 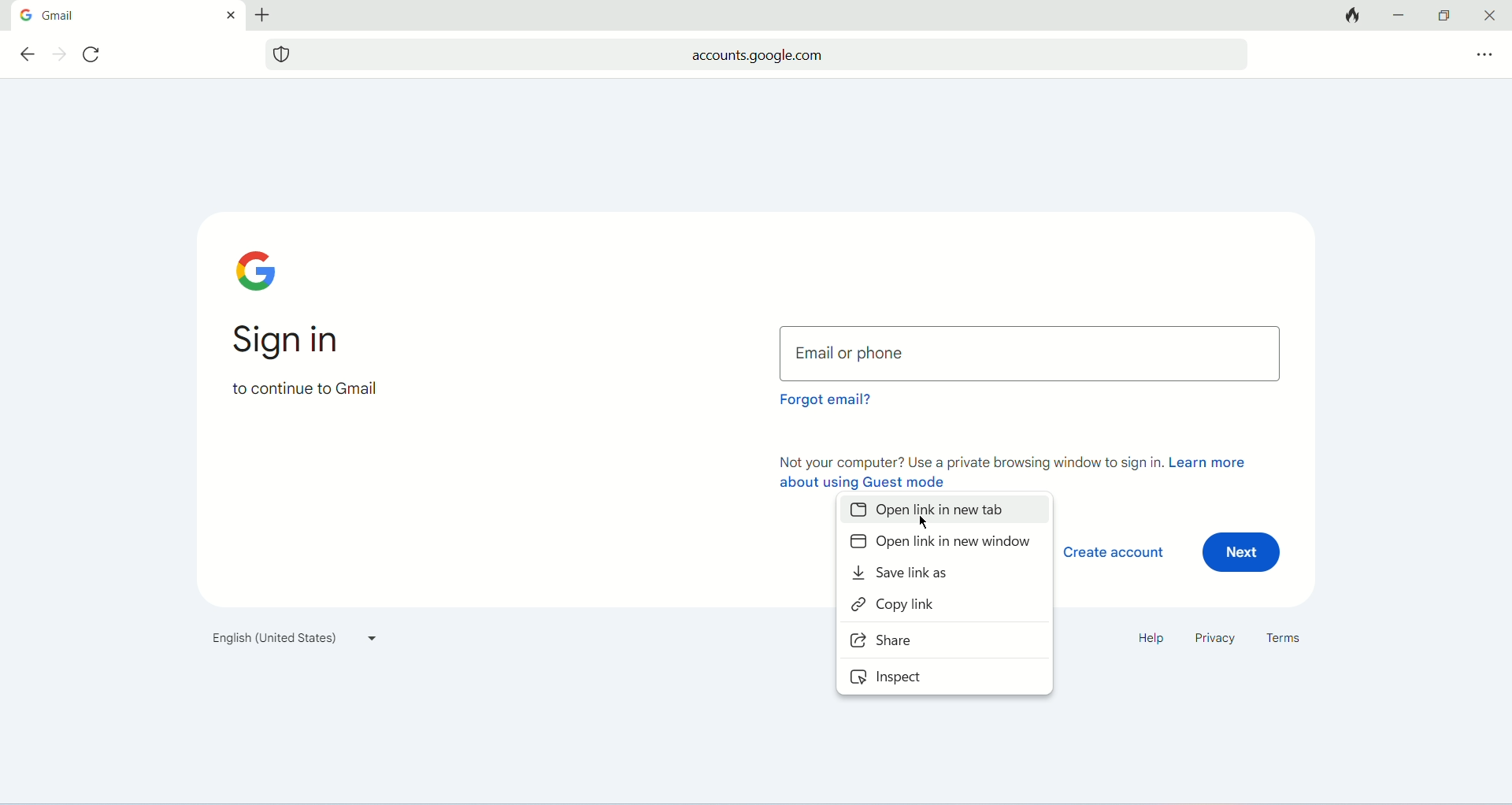 I want to click on previous, so click(x=26, y=54).